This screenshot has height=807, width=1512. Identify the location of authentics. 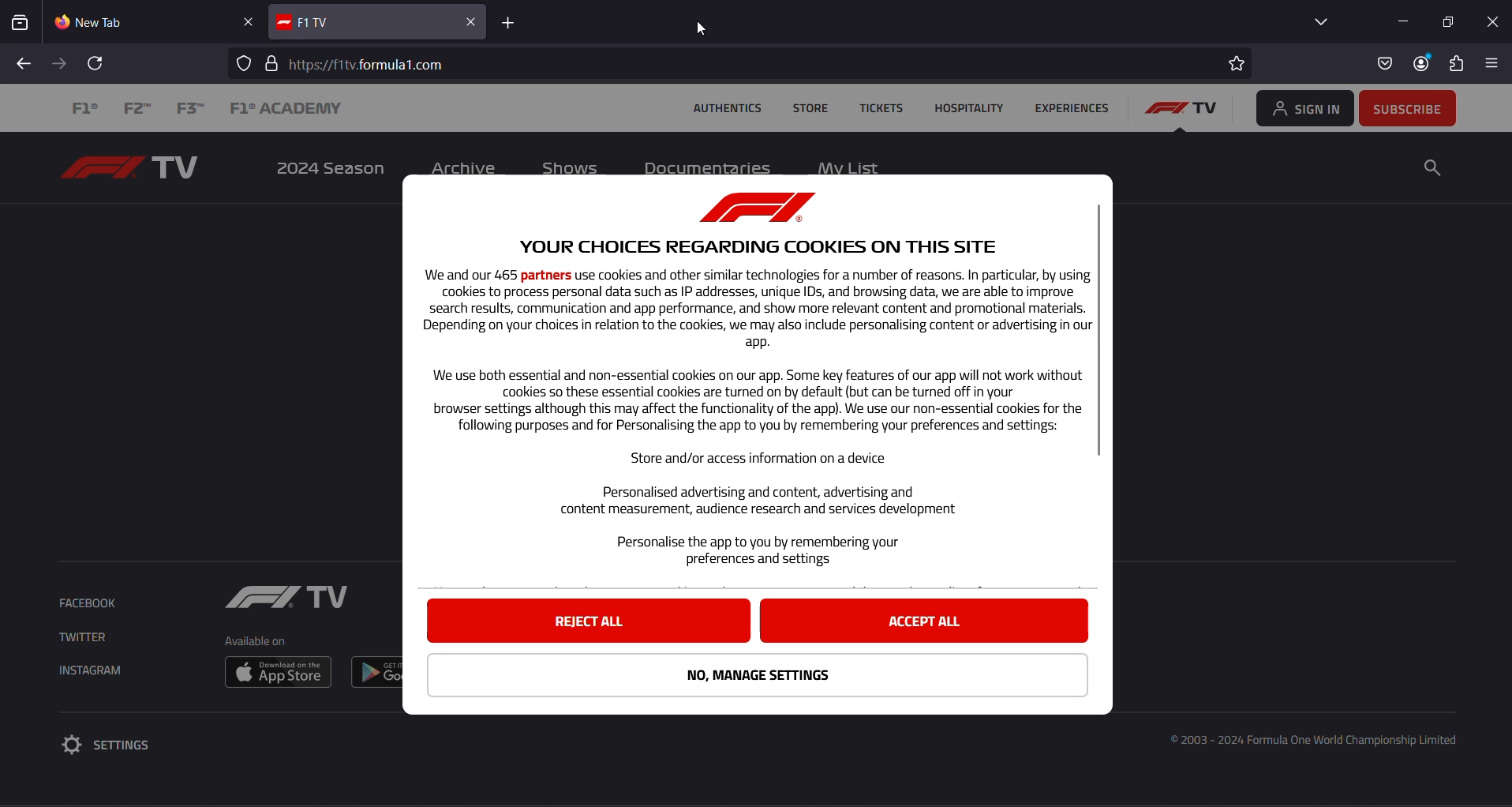
(727, 111).